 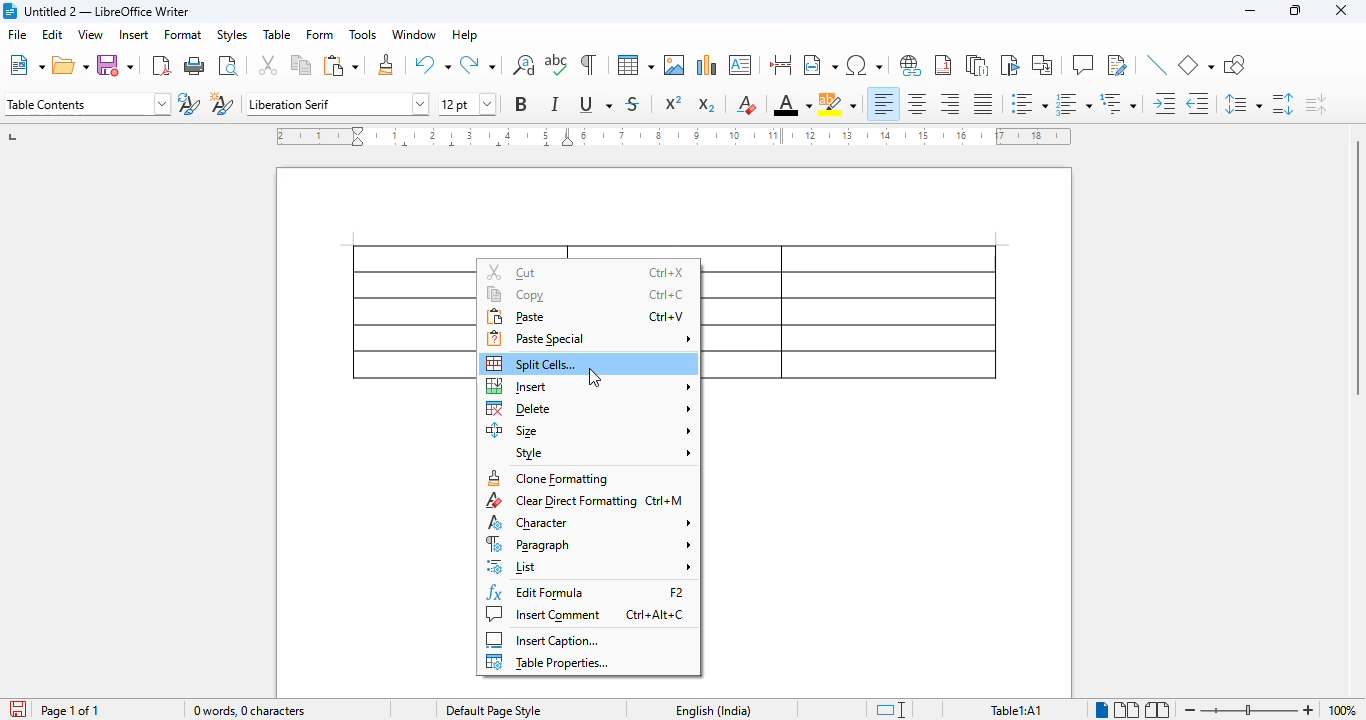 I want to click on multi-page view, so click(x=1127, y=710).